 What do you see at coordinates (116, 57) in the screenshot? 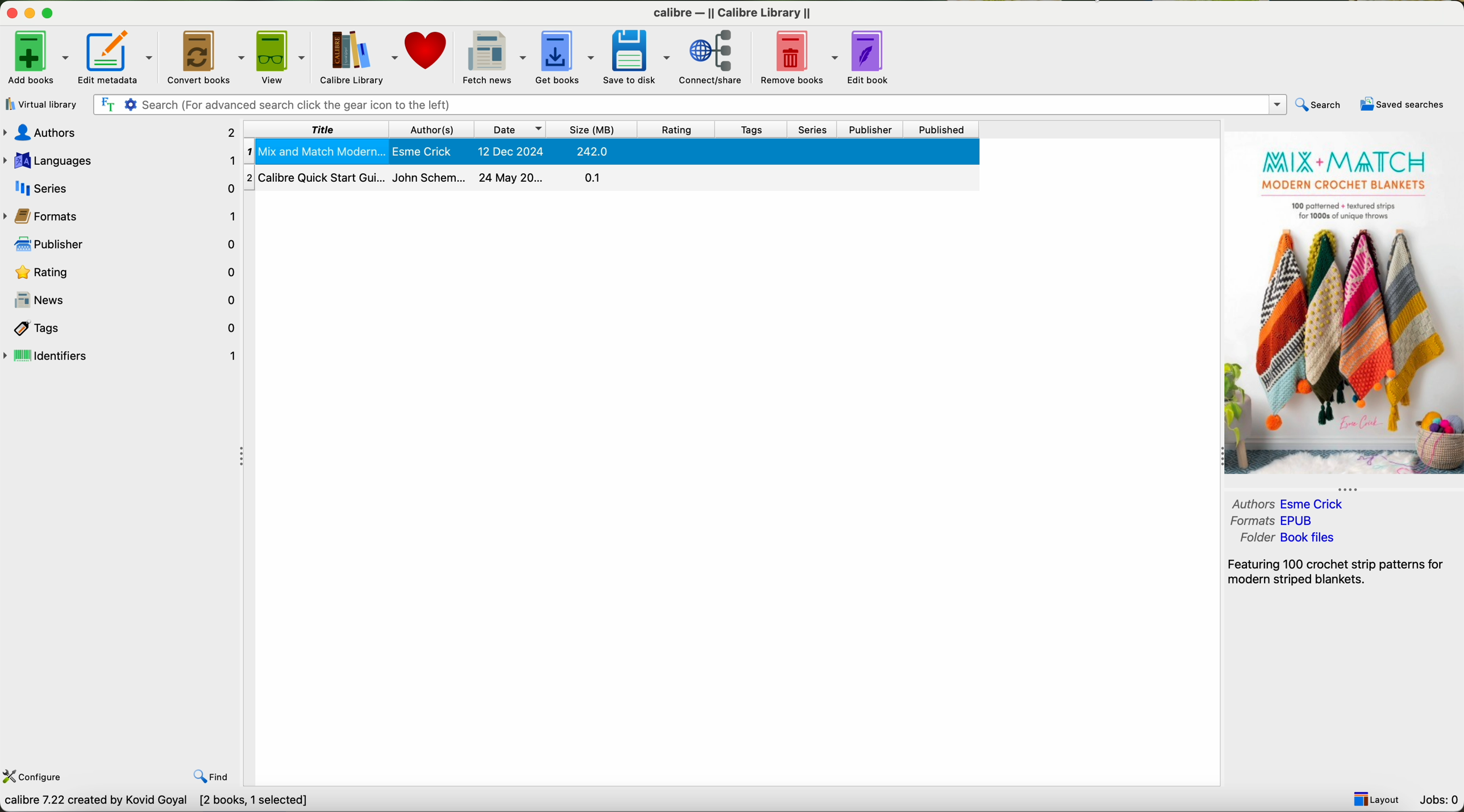
I see `edit metadata` at bounding box center [116, 57].